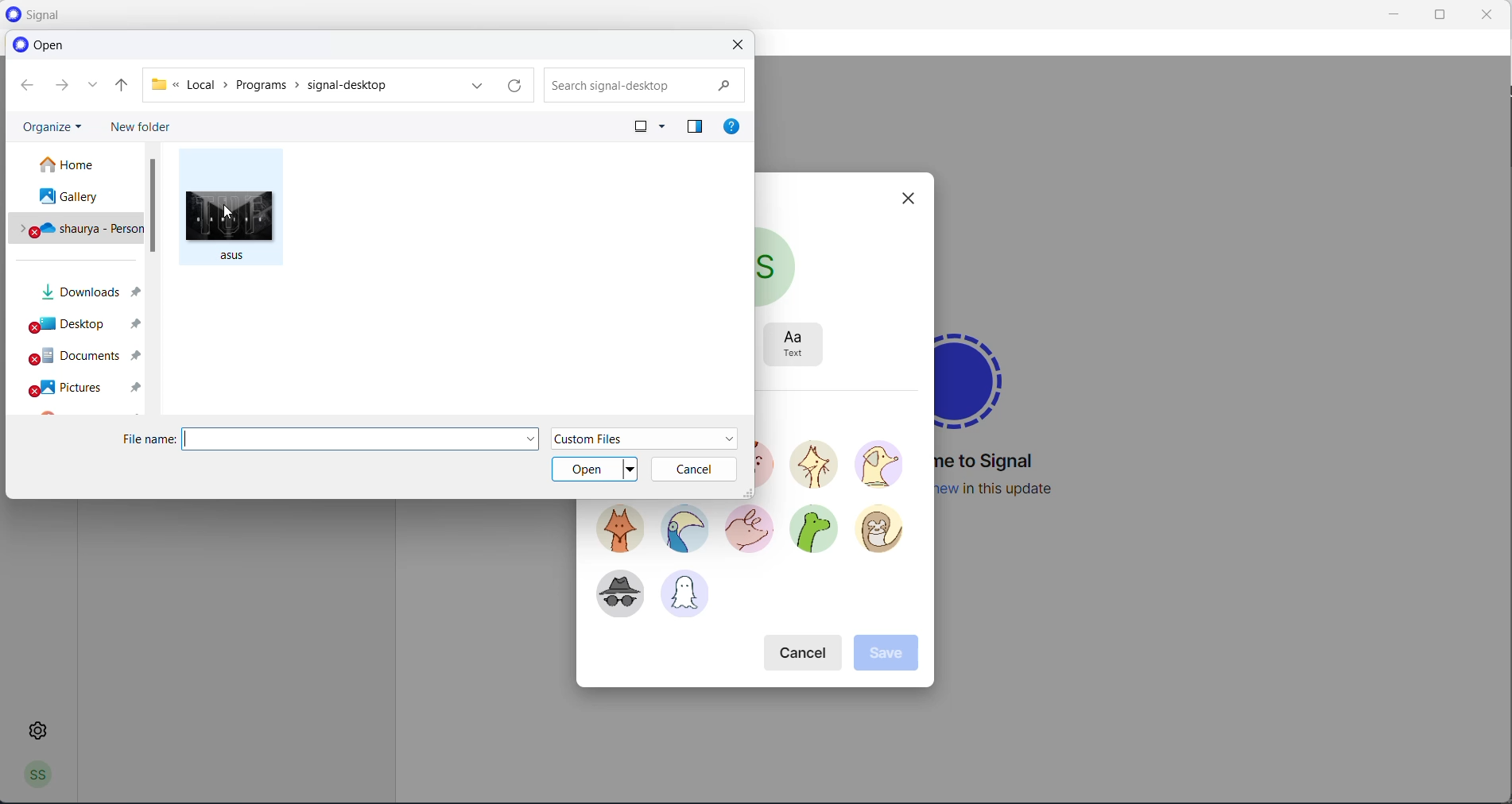  What do you see at coordinates (148, 440) in the screenshot?
I see `file name heading` at bounding box center [148, 440].